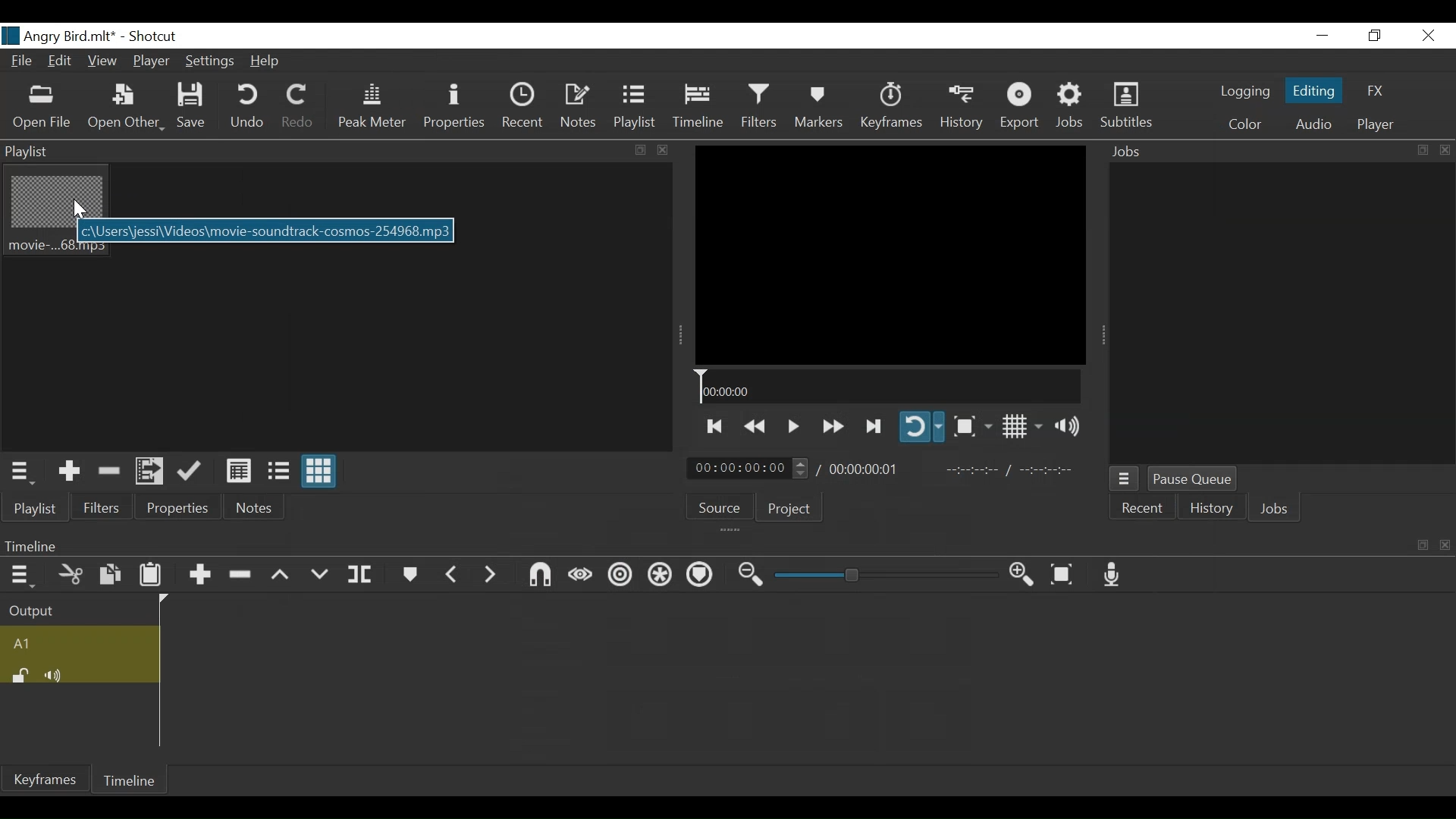  What do you see at coordinates (74, 607) in the screenshot?
I see `Output` at bounding box center [74, 607].